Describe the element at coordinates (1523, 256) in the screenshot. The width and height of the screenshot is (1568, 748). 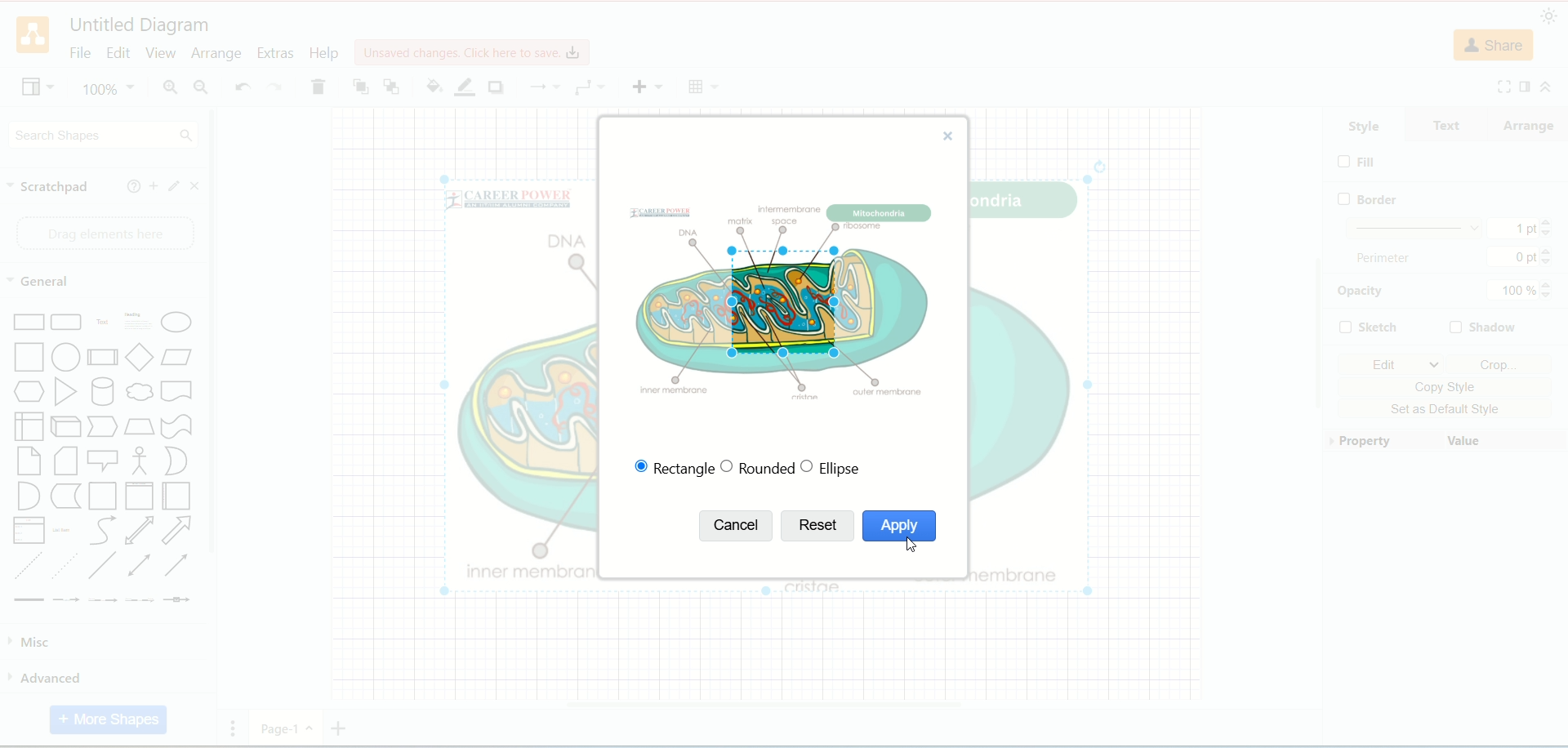
I see `0 pt` at that location.